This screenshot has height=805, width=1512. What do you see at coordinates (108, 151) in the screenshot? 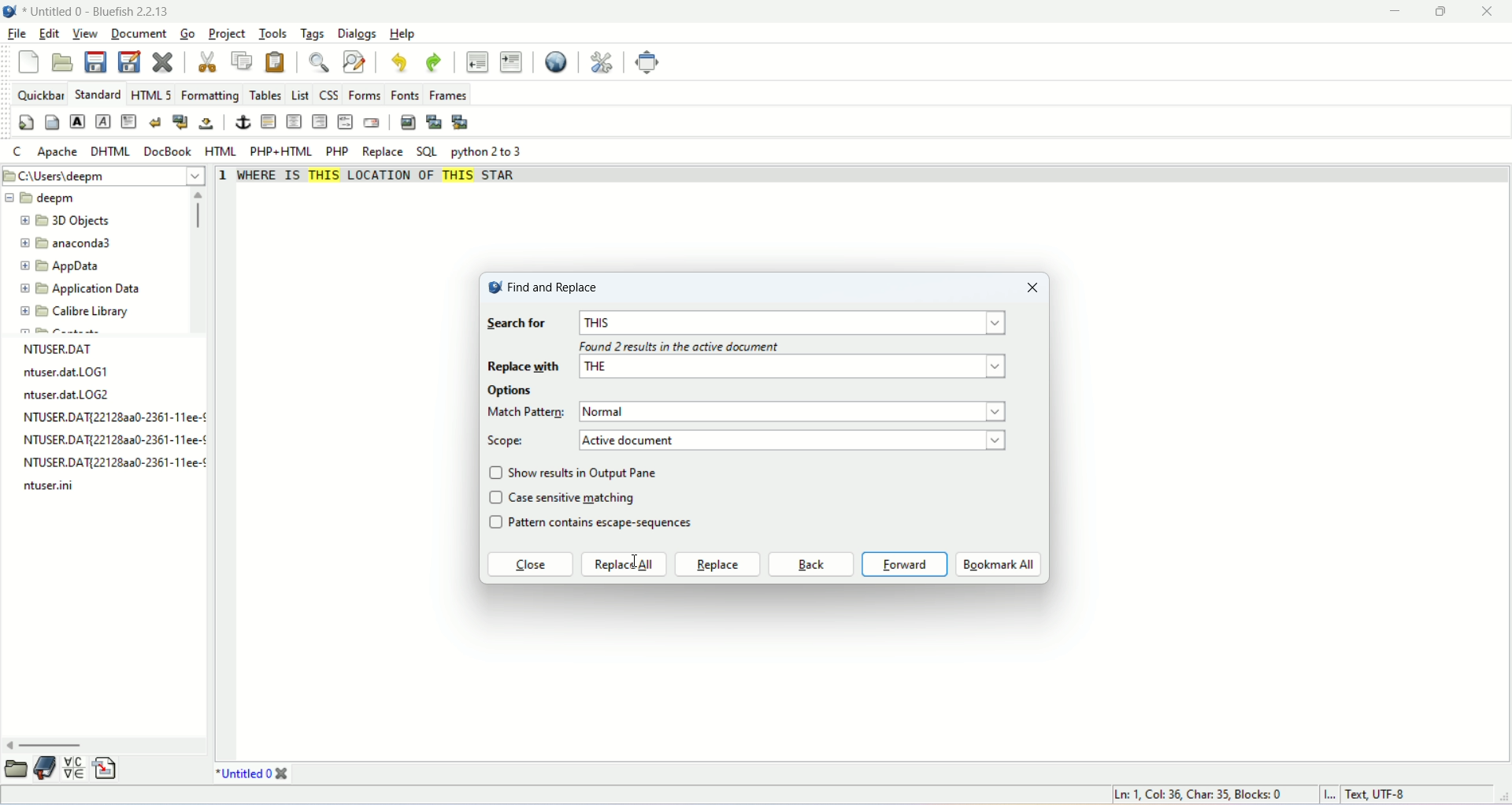
I see `DHTML` at bounding box center [108, 151].